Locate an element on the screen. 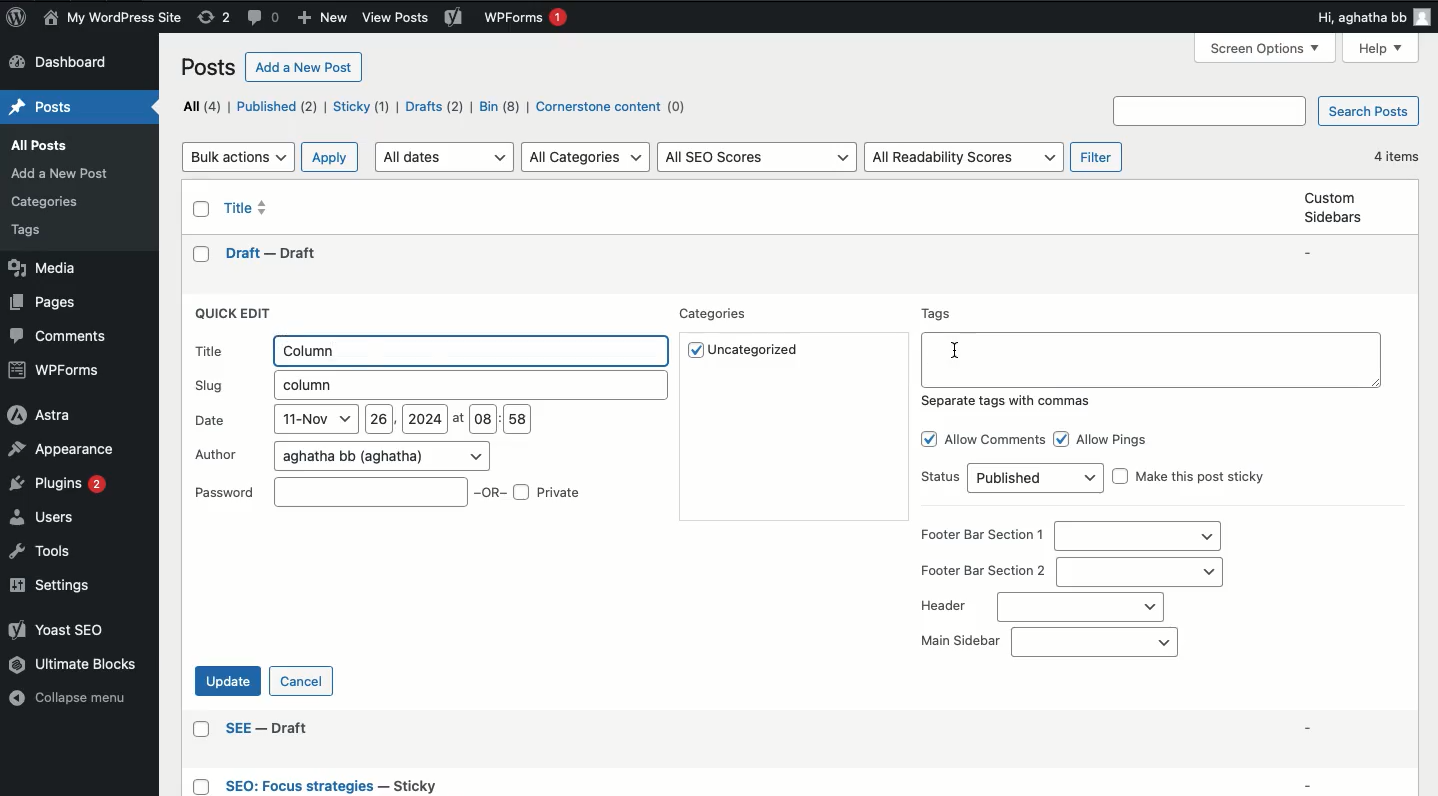 This screenshot has height=796, width=1438.  is located at coordinates (29, 233).